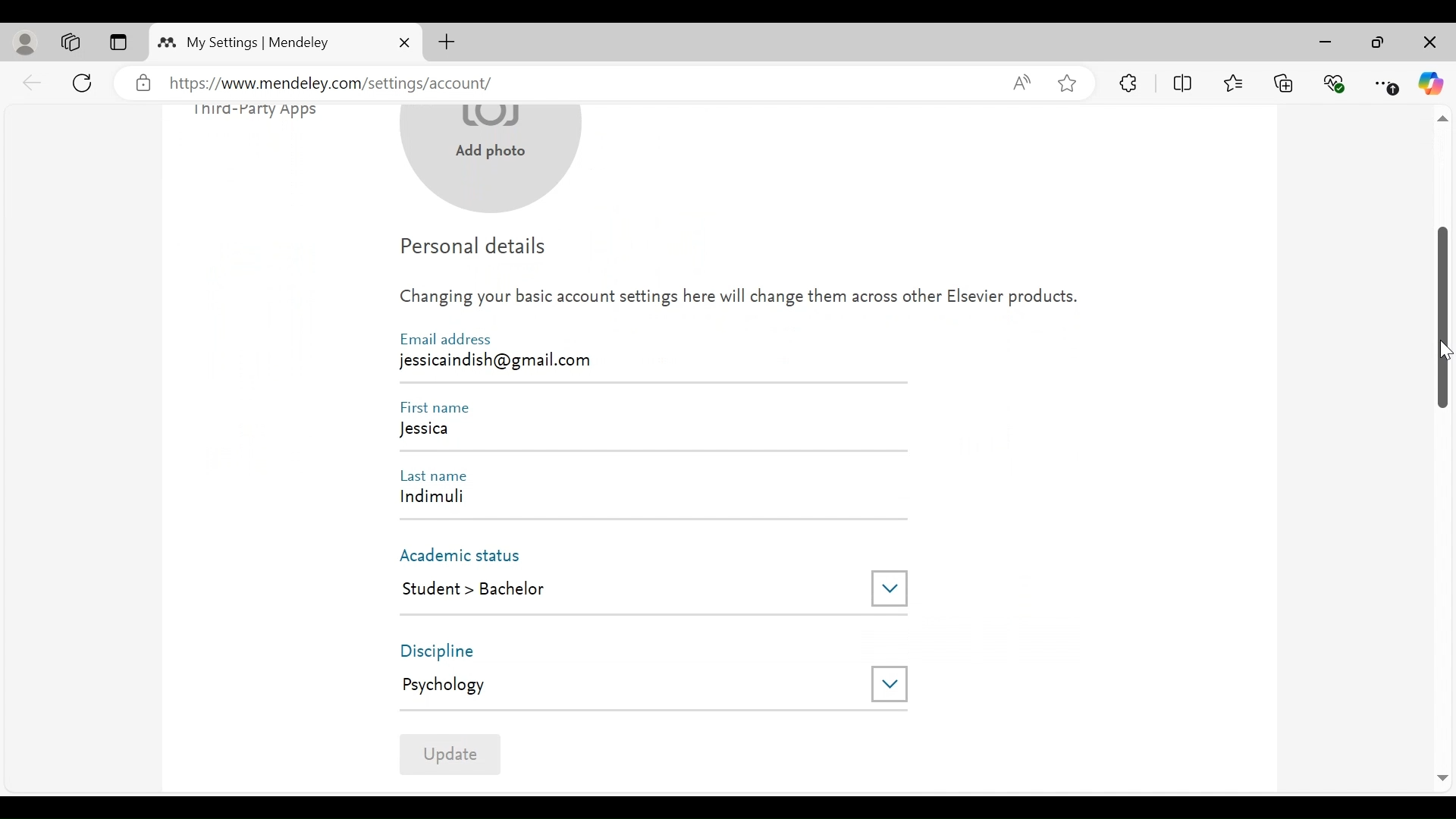 The image size is (1456, 819). What do you see at coordinates (1431, 83) in the screenshot?
I see `Copilot` at bounding box center [1431, 83].